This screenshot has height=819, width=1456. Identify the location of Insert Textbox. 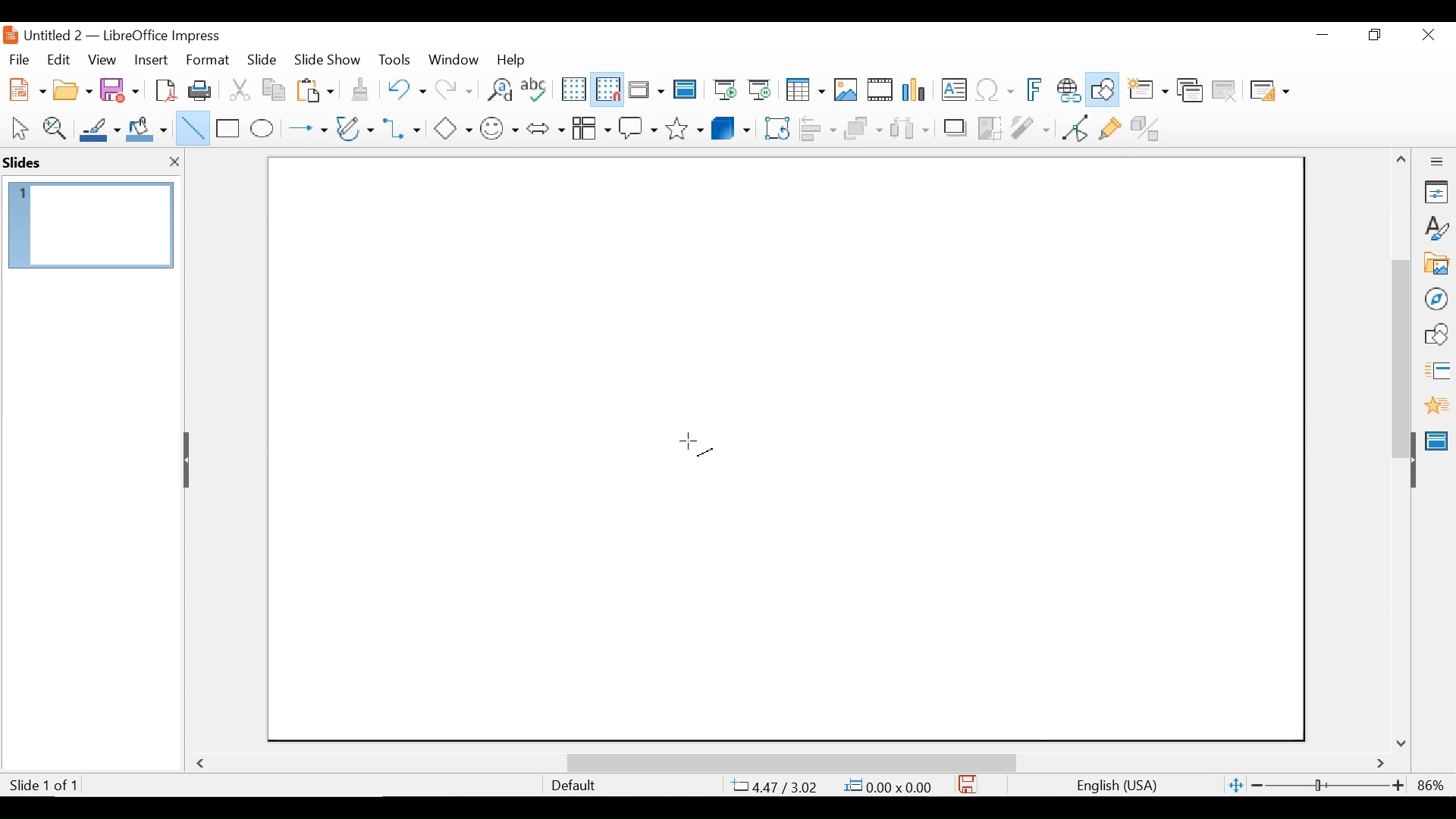
(952, 91).